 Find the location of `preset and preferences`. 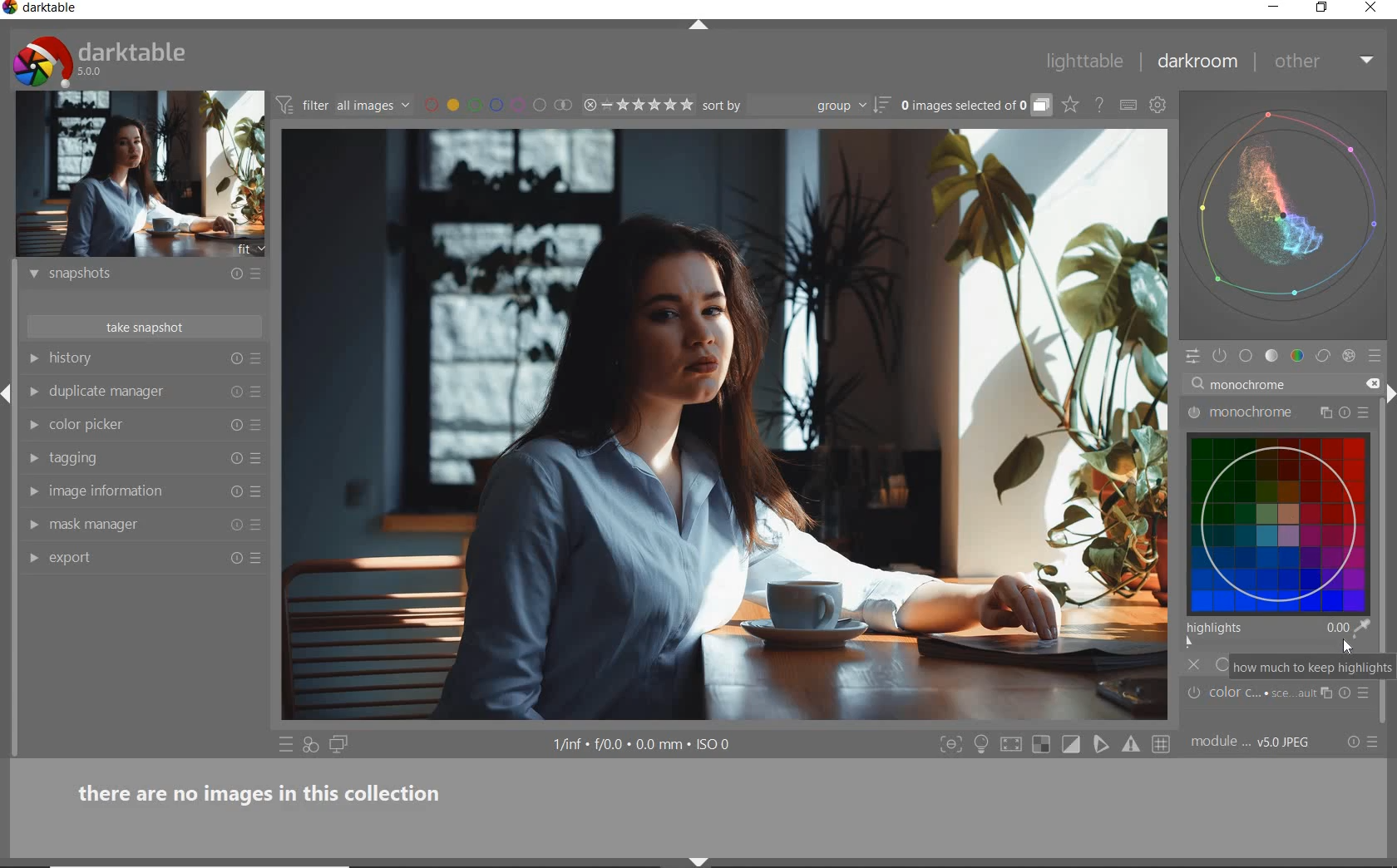

preset and preferences is located at coordinates (257, 492).